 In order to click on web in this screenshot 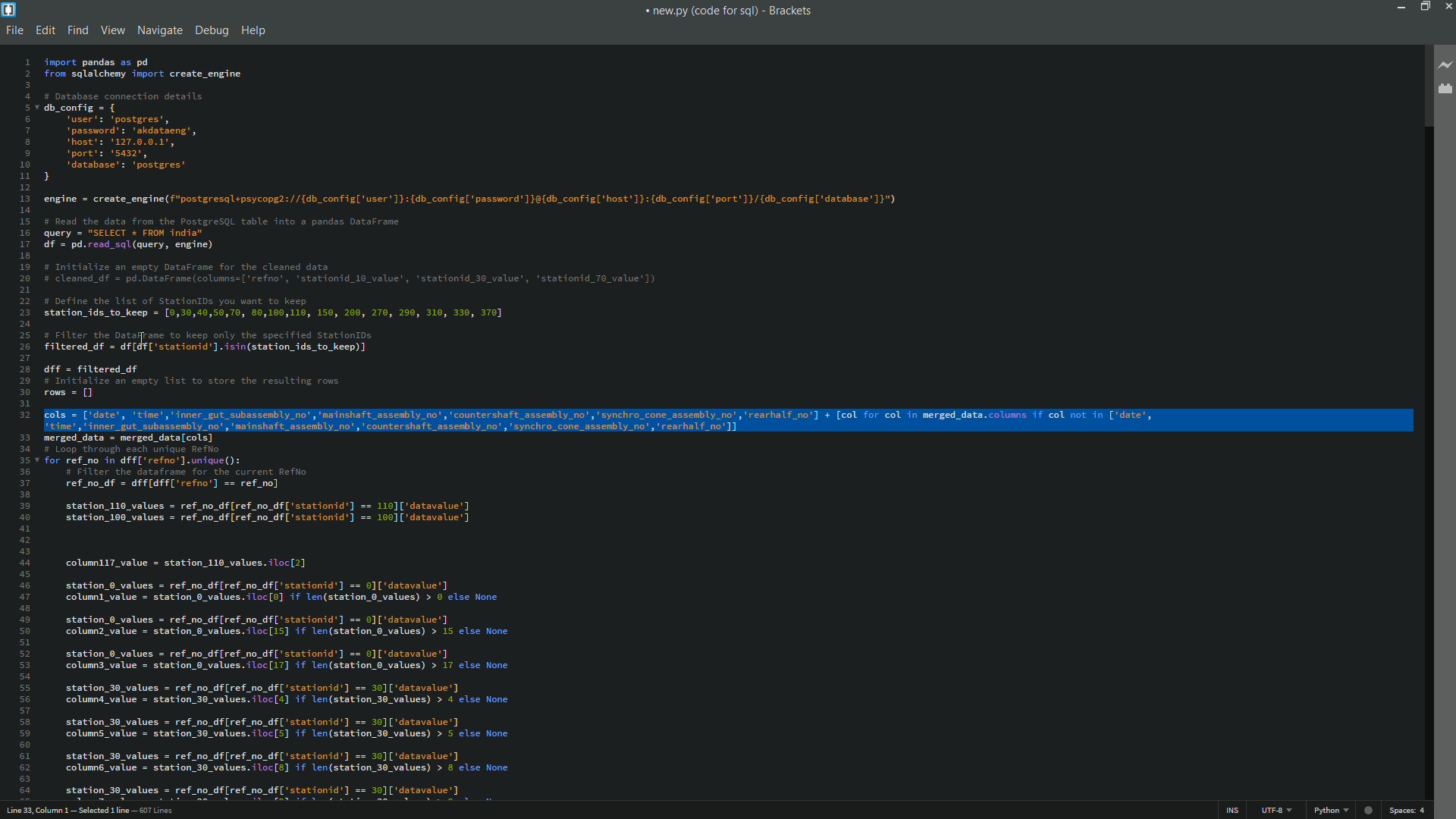, I will do `click(1369, 808)`.